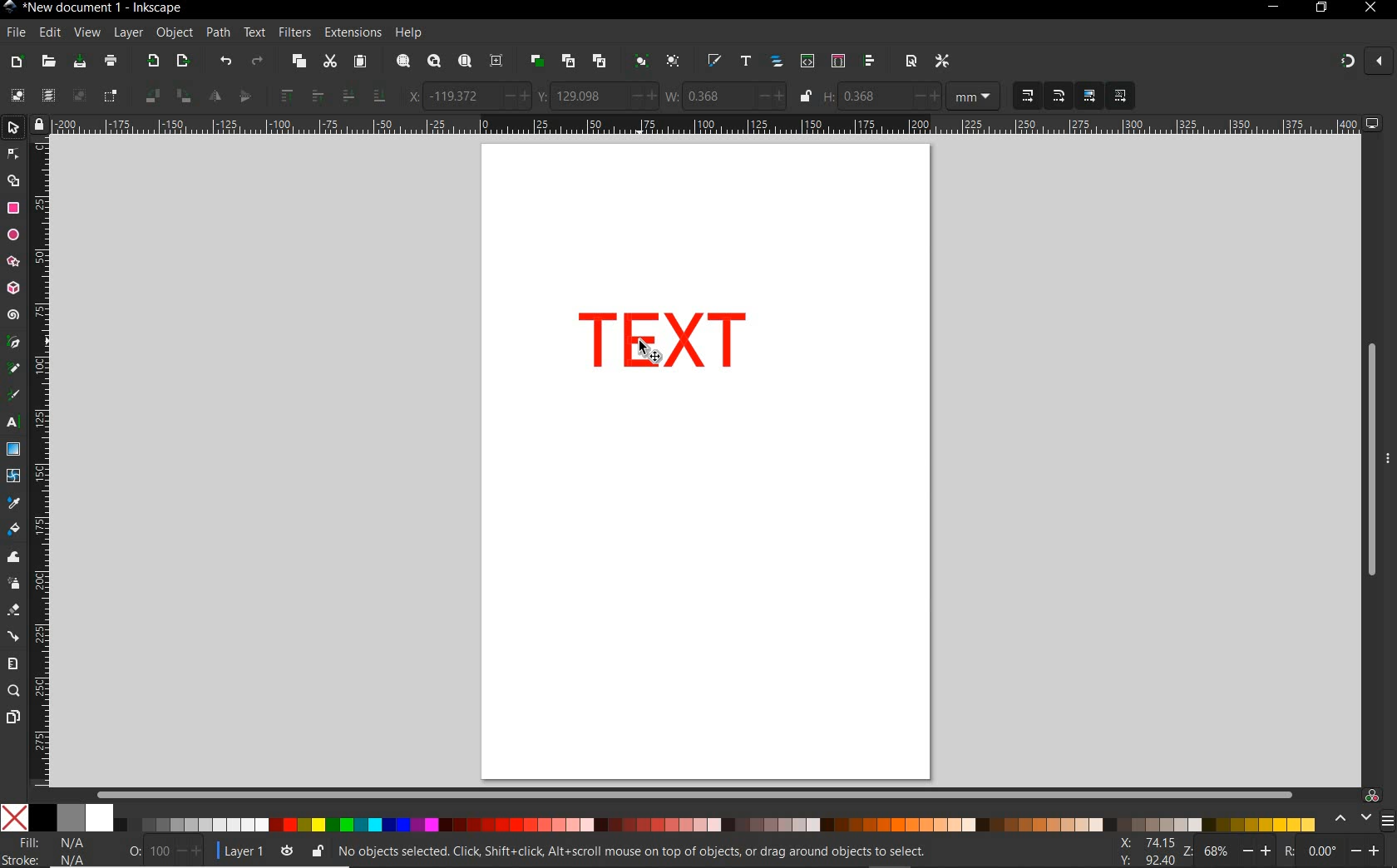  I want to click on VERTICAL COORDINATE OF SELECTION, so click(596, 96).